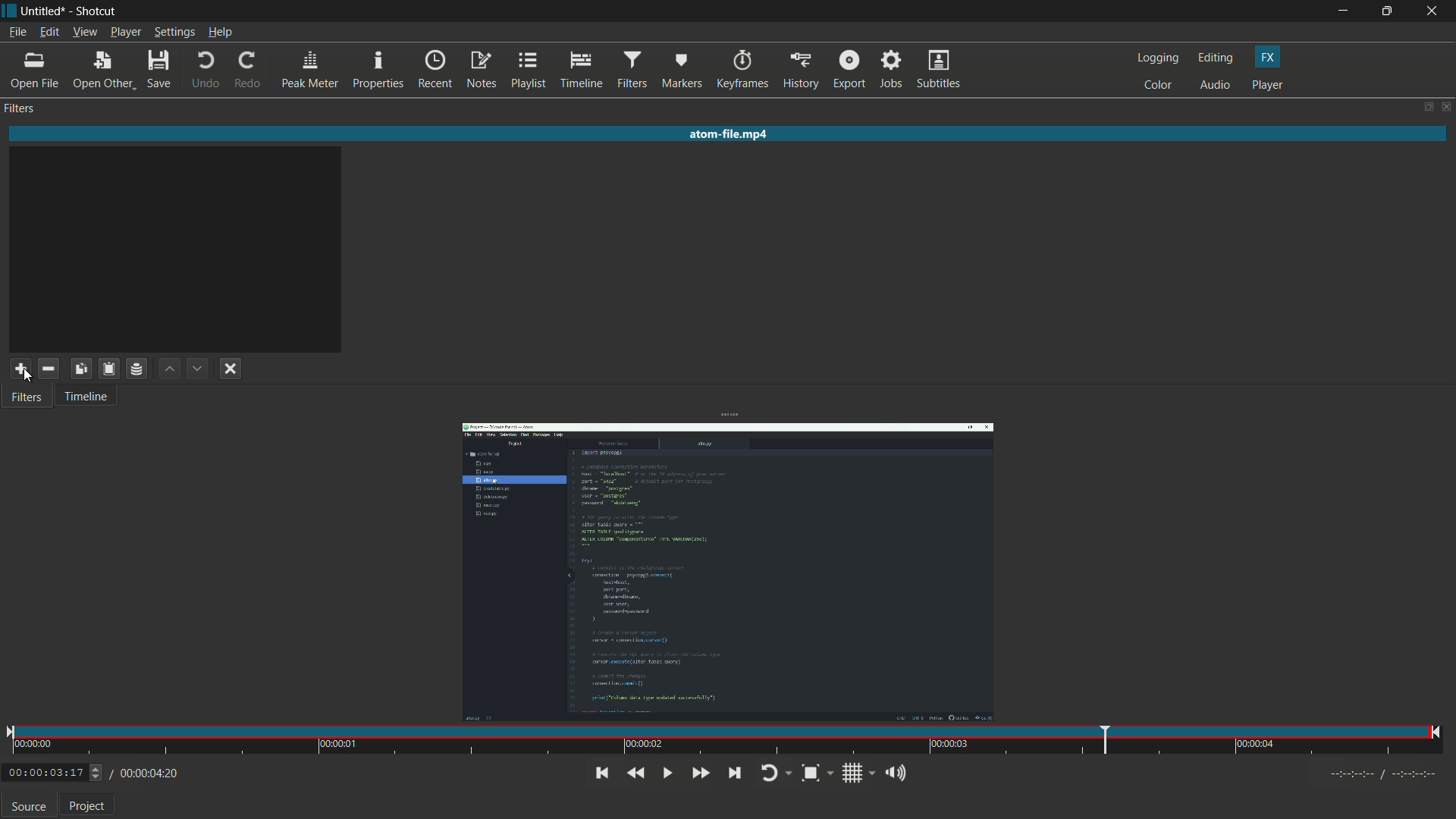  What do you see at coordinates (1158, 86) in the screenshot?
I see `color` at bounding box center [1158, 86].